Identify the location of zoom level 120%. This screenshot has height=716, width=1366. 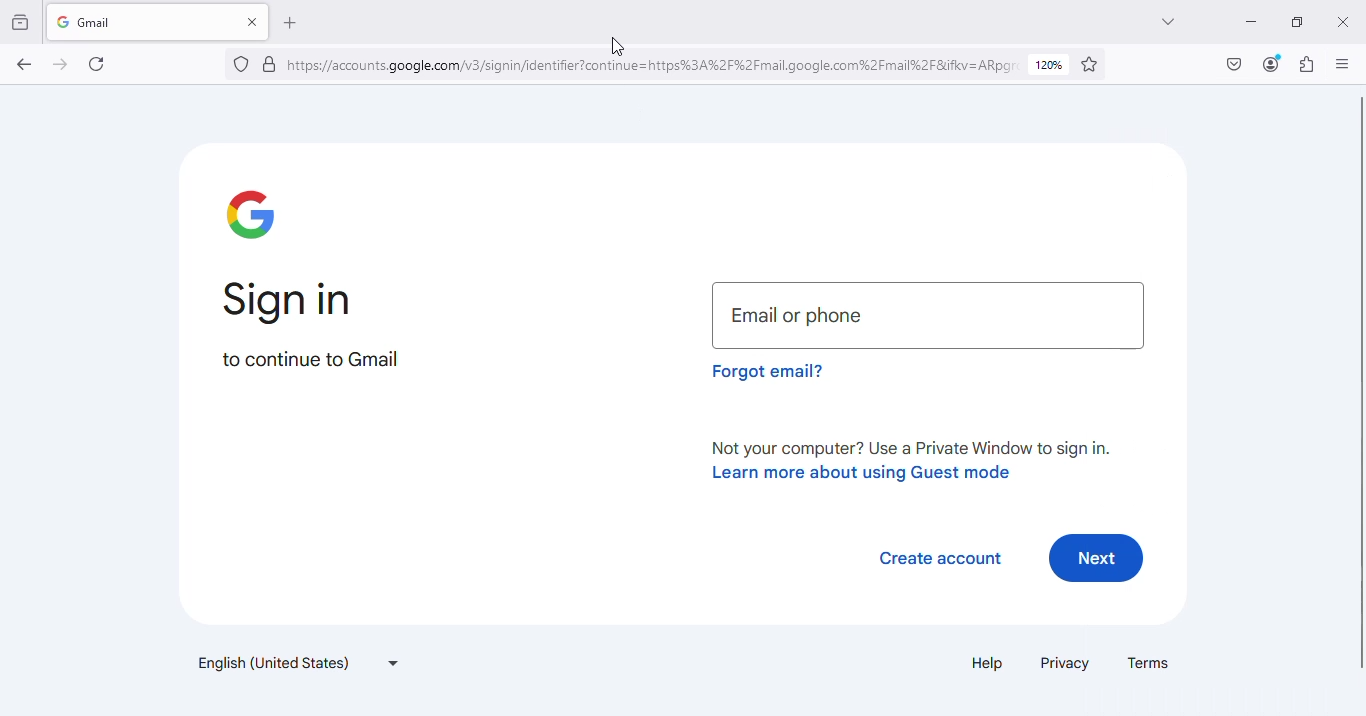
(1050, 65).